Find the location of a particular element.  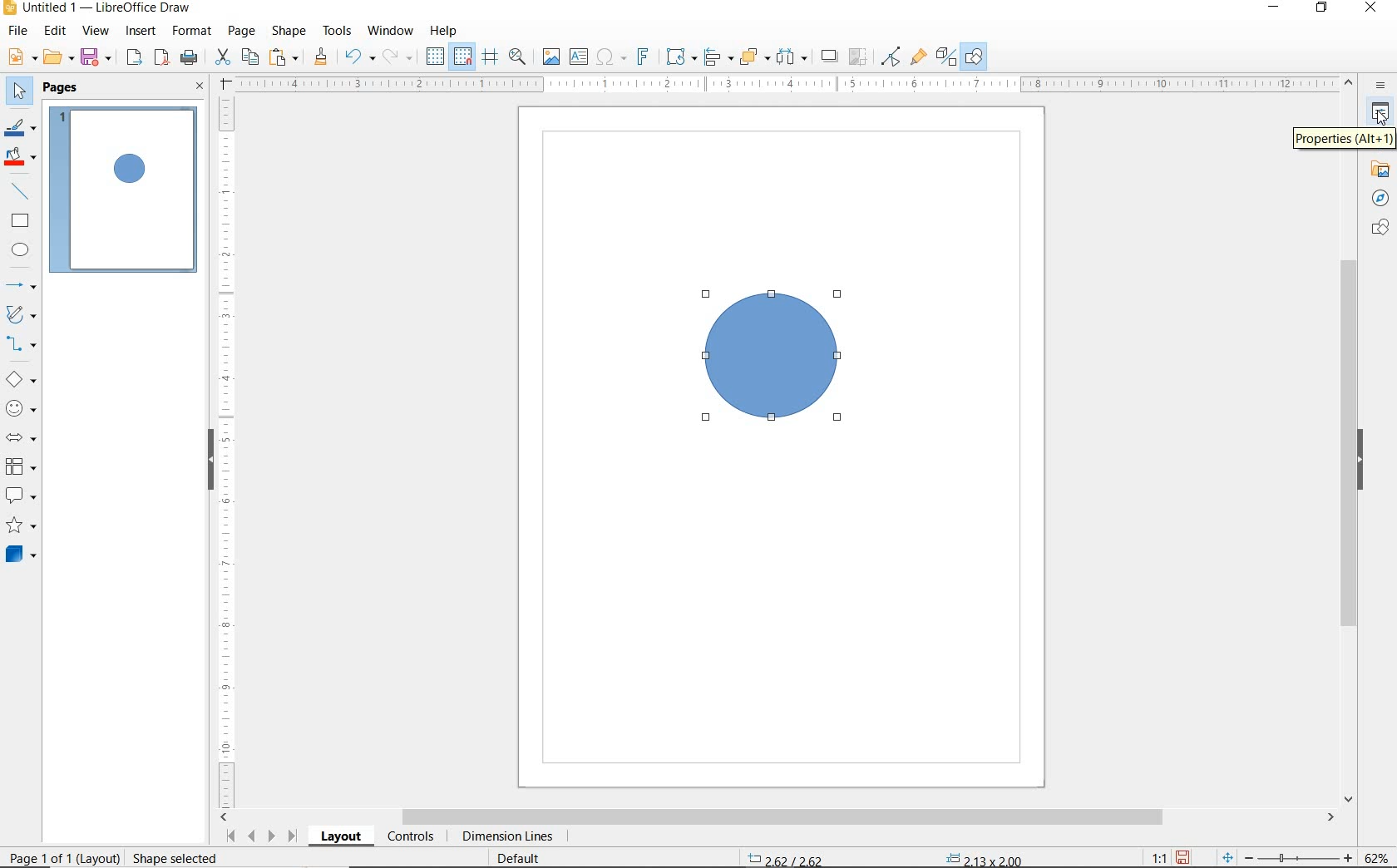

CONNECTORS is located at coordinates (22, 345).